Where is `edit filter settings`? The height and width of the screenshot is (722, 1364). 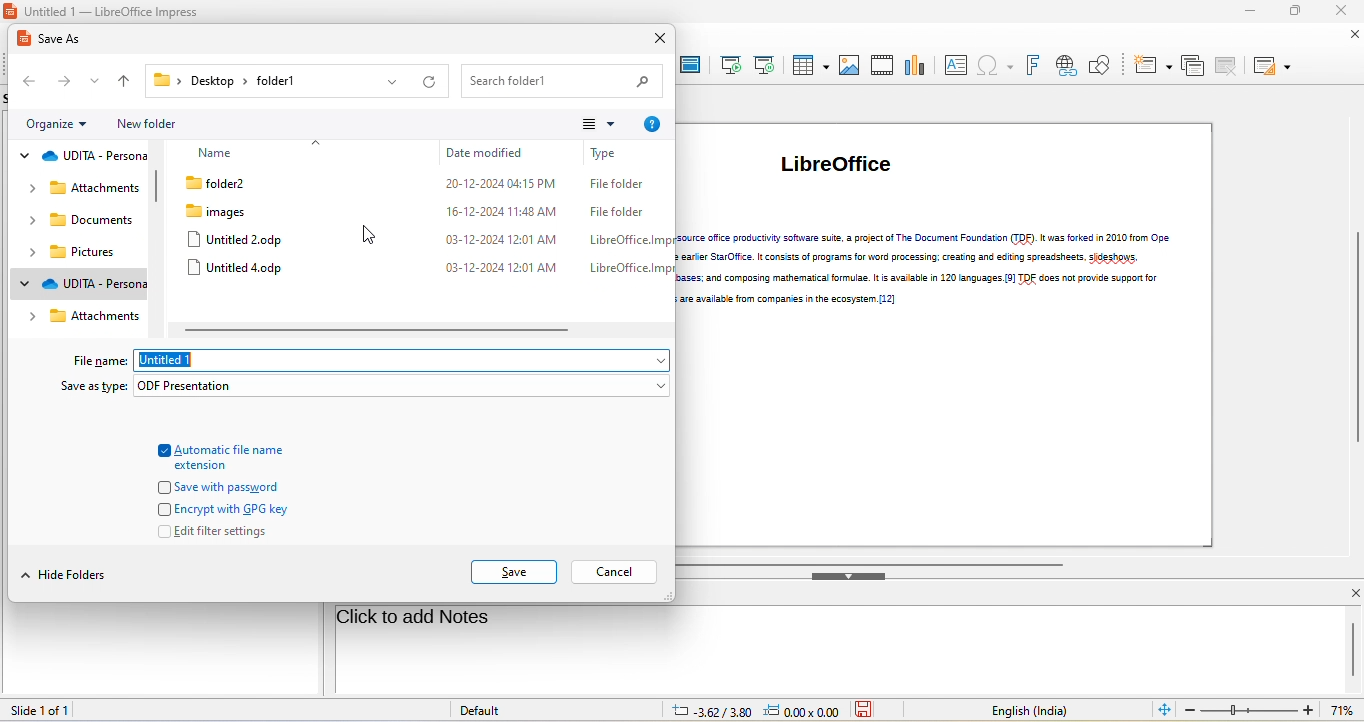
edit filter settings is located at coordinates (216, 532).